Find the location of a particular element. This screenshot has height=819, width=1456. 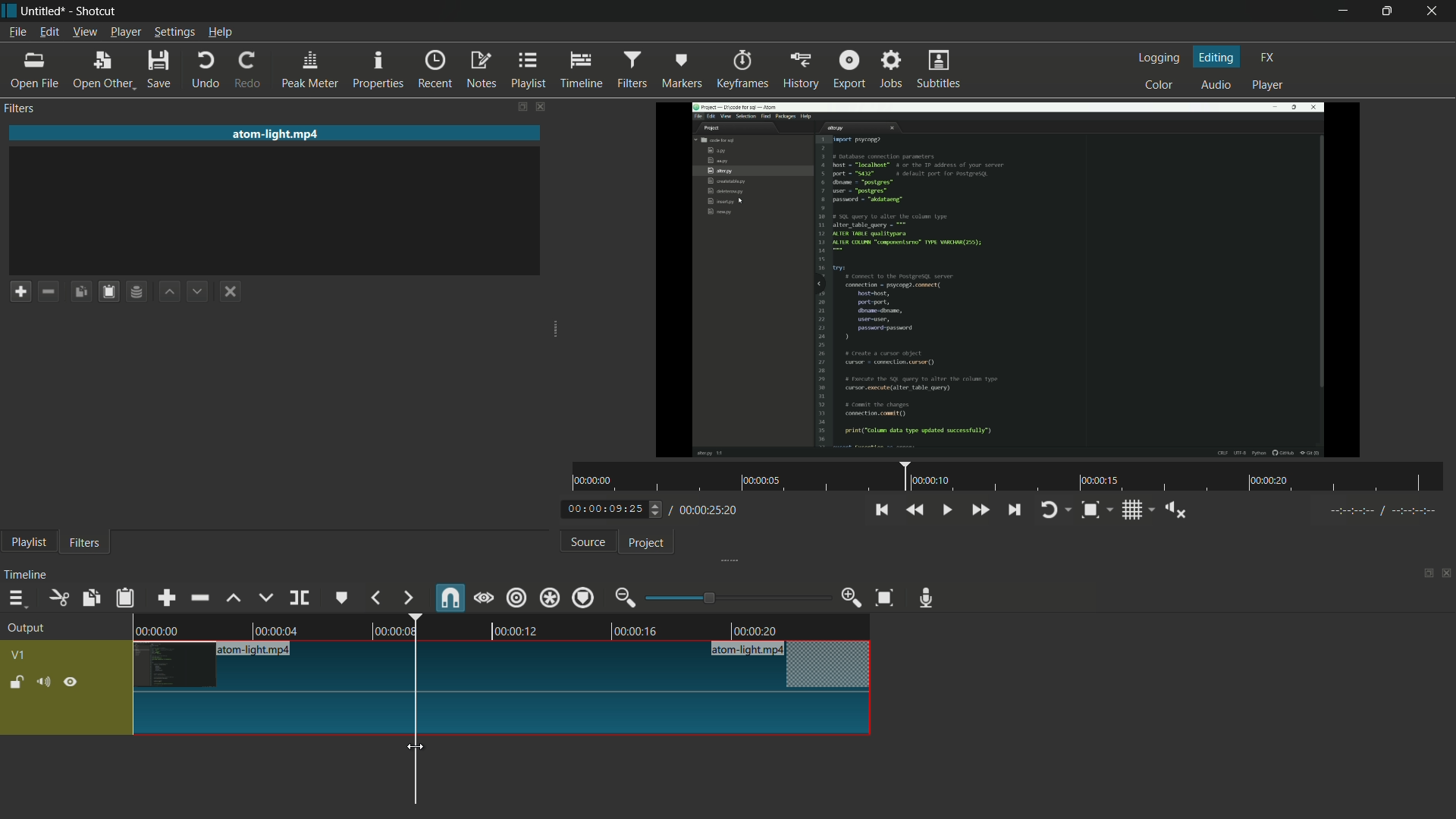

jobs is located at coordinates (893, 67).